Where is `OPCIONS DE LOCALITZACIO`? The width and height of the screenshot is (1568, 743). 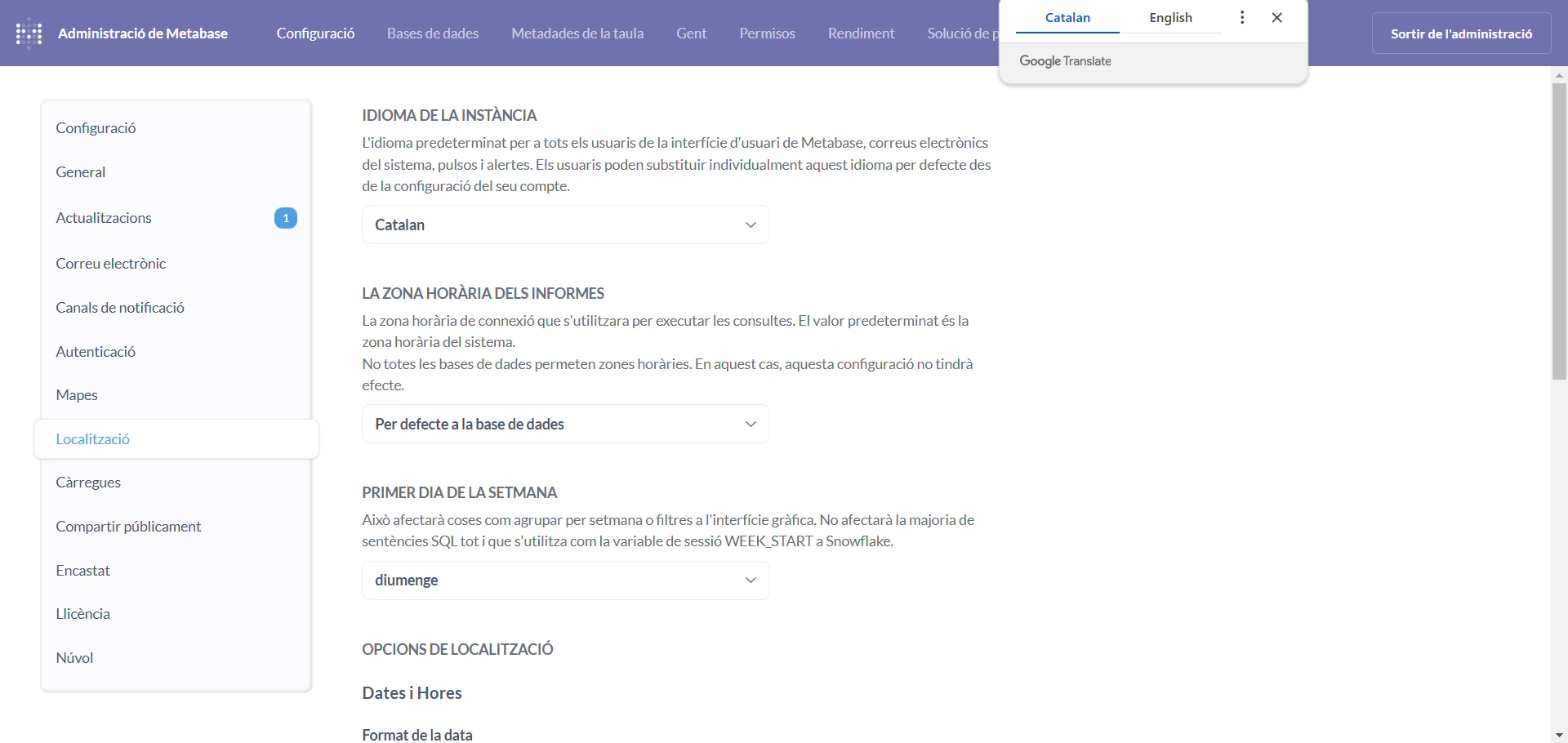
OPCIONS DE LOCALITZACIO is located at coordinates (461, 651).